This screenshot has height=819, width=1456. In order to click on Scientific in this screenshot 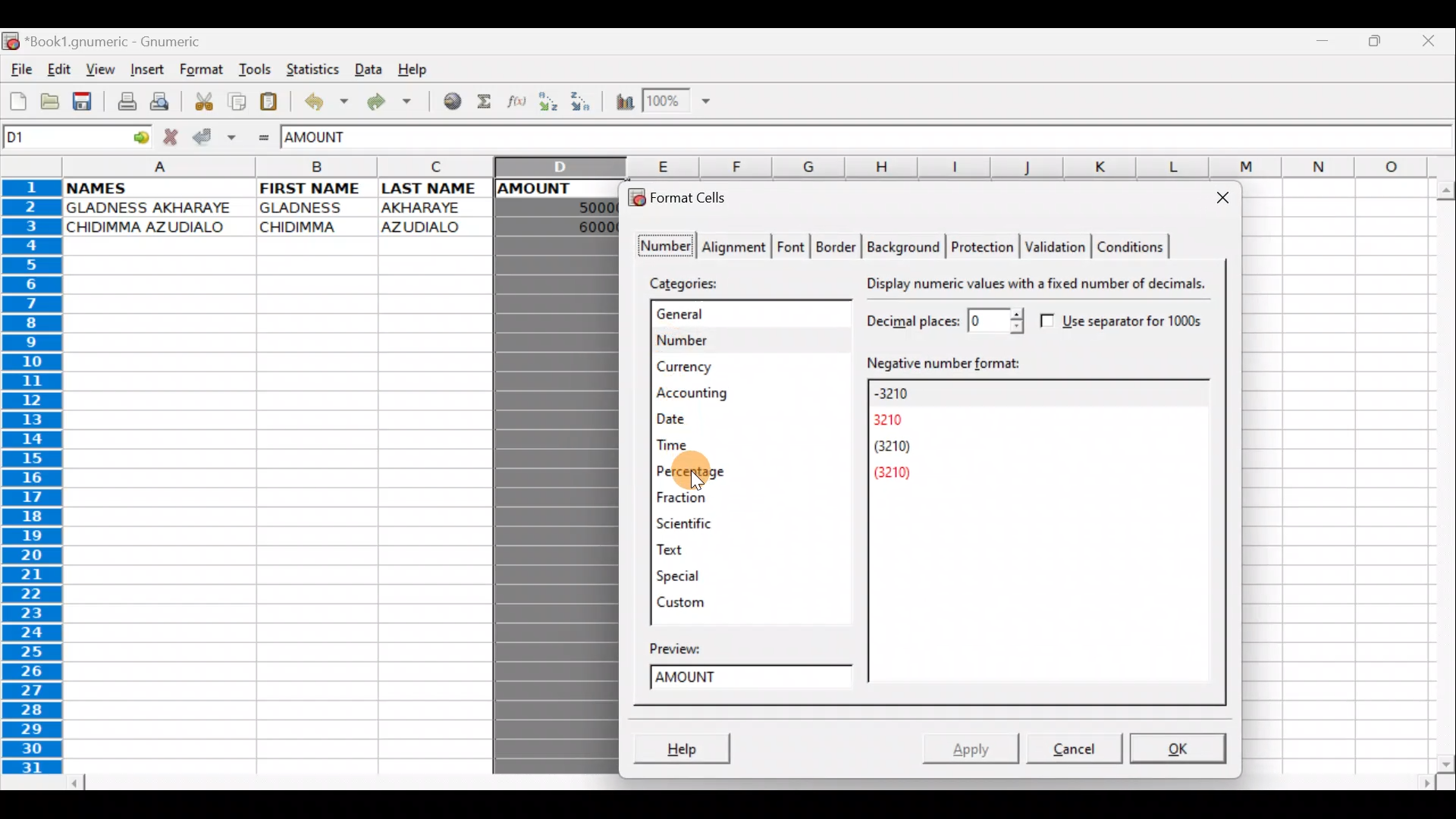, I will do `click(705, 525)`.